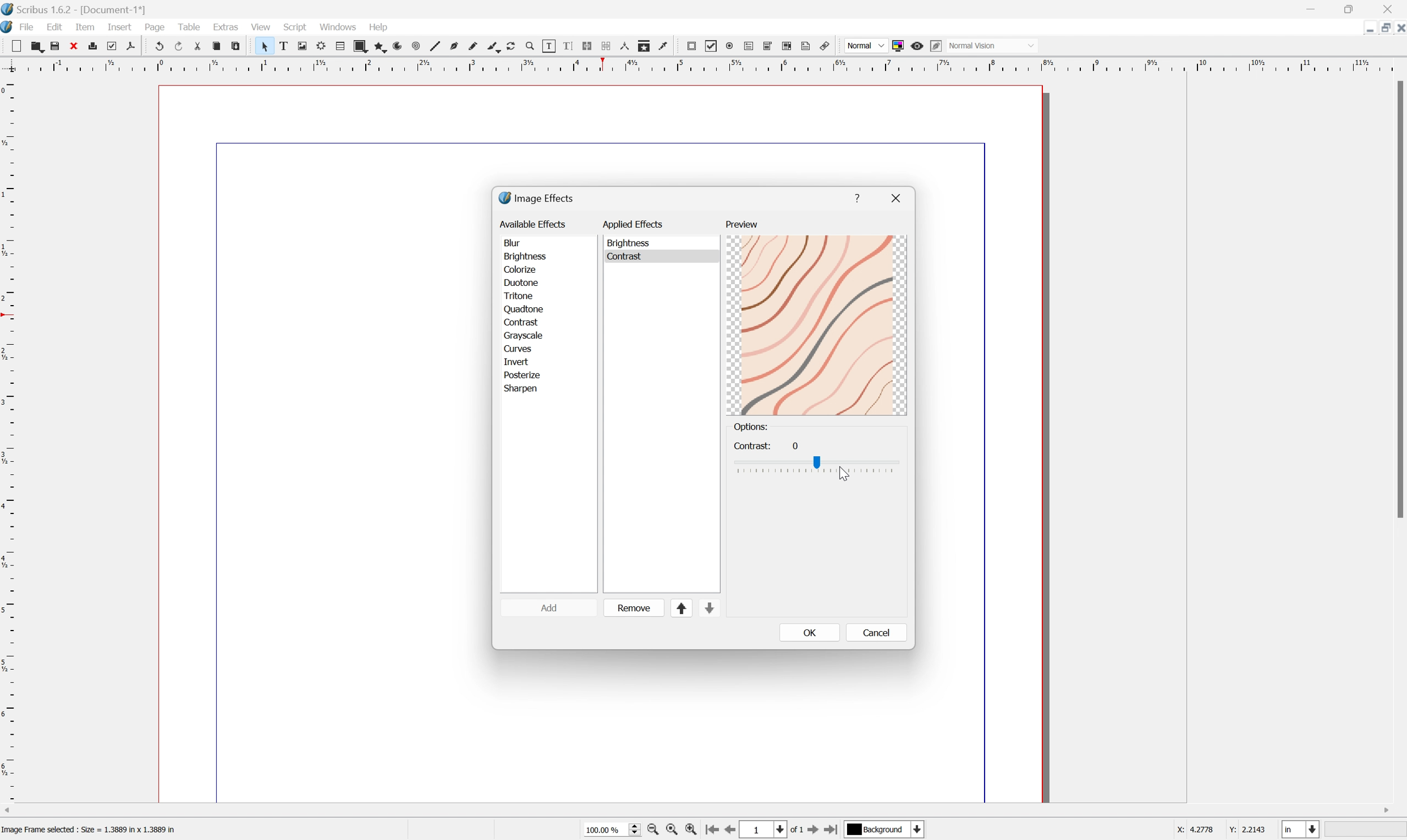  What do you see at coordinates (75, 46) in the screenshot?
I see `Close` at bounding box center [75, 46].